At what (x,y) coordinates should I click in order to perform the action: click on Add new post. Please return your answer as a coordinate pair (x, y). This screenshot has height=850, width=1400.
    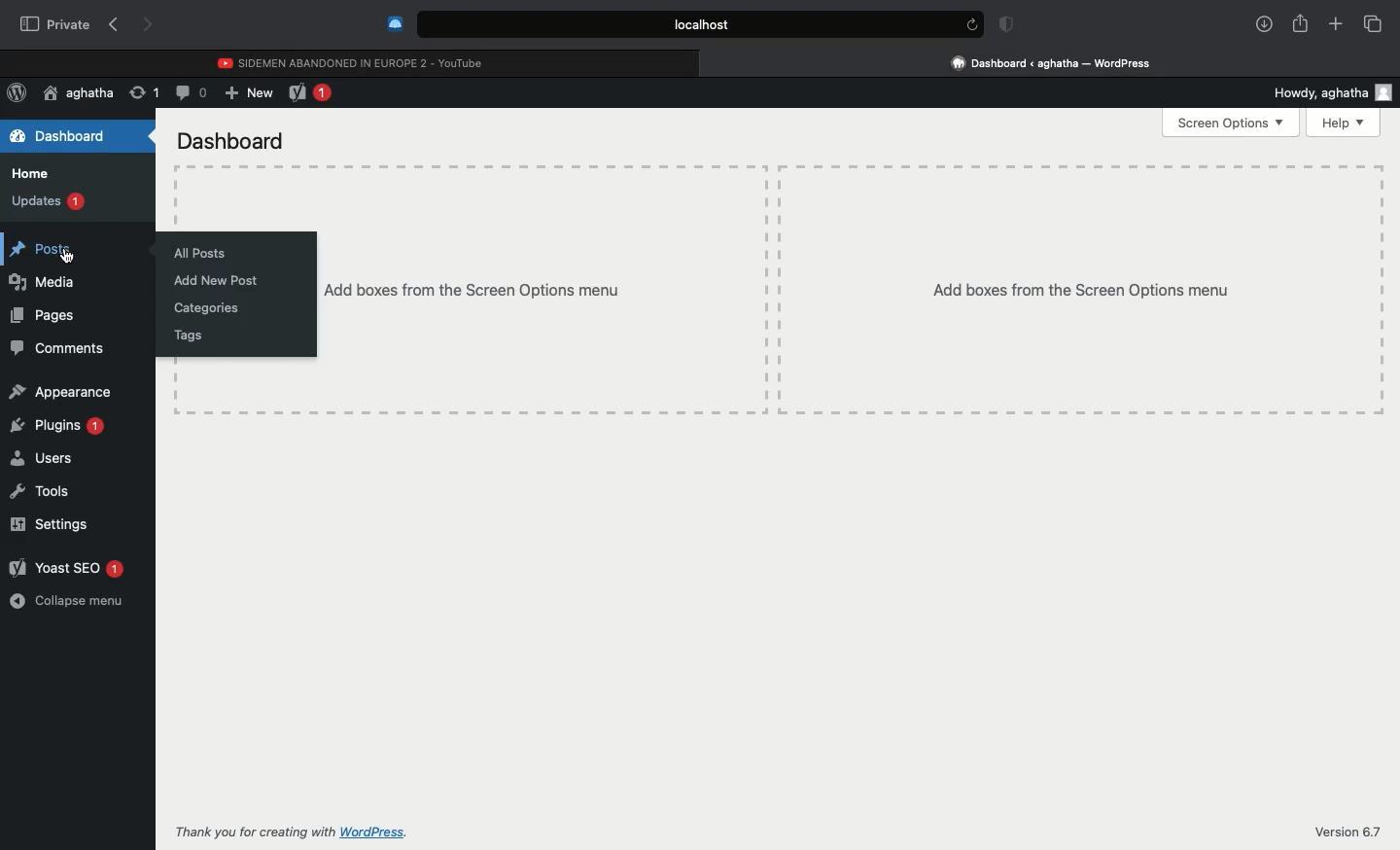
    Looking at the image, I should click on (218, 280).